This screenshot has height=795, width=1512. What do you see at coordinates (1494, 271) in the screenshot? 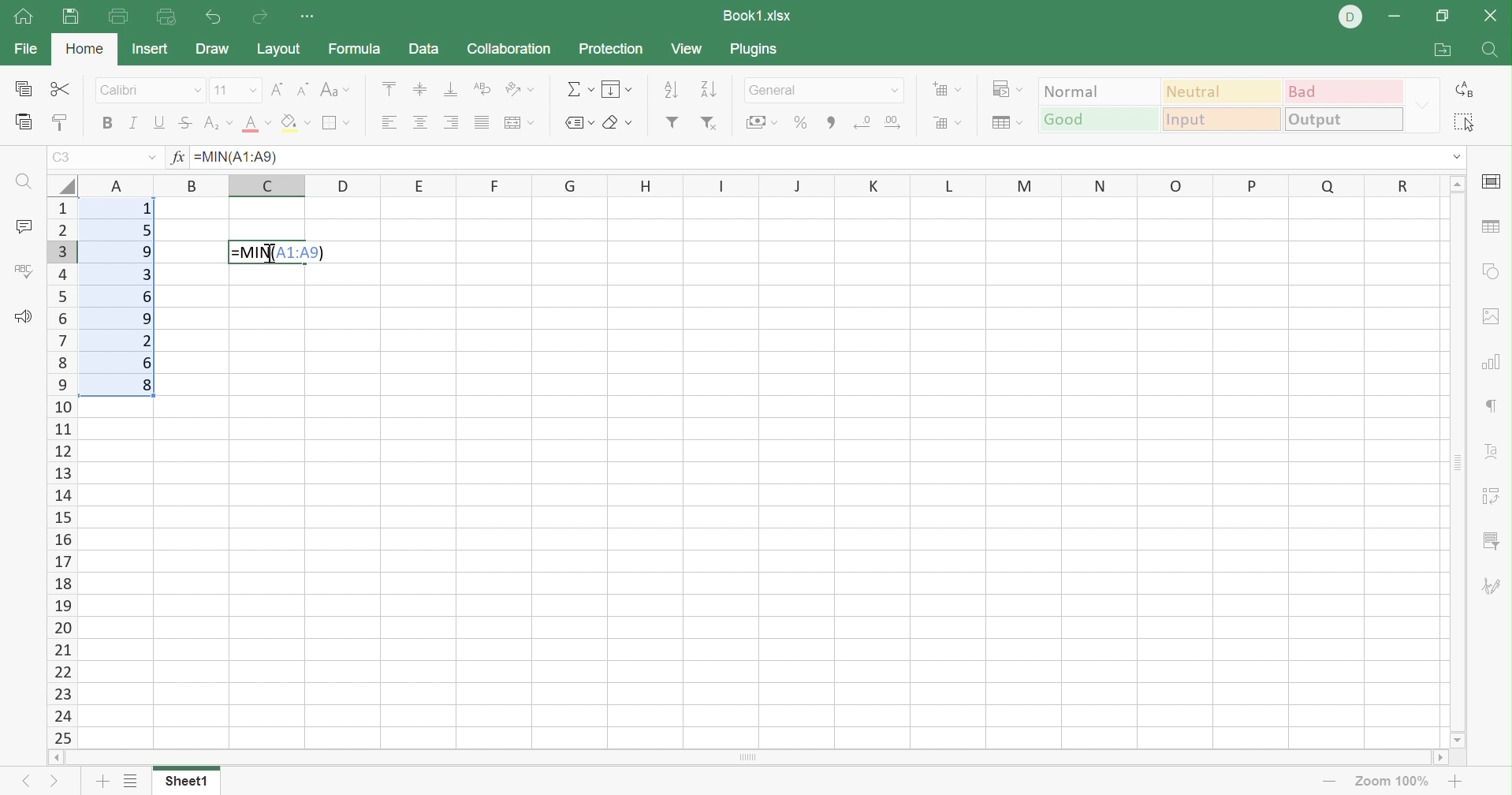
I see `Shape settings` at bounding box center [1494, 271].